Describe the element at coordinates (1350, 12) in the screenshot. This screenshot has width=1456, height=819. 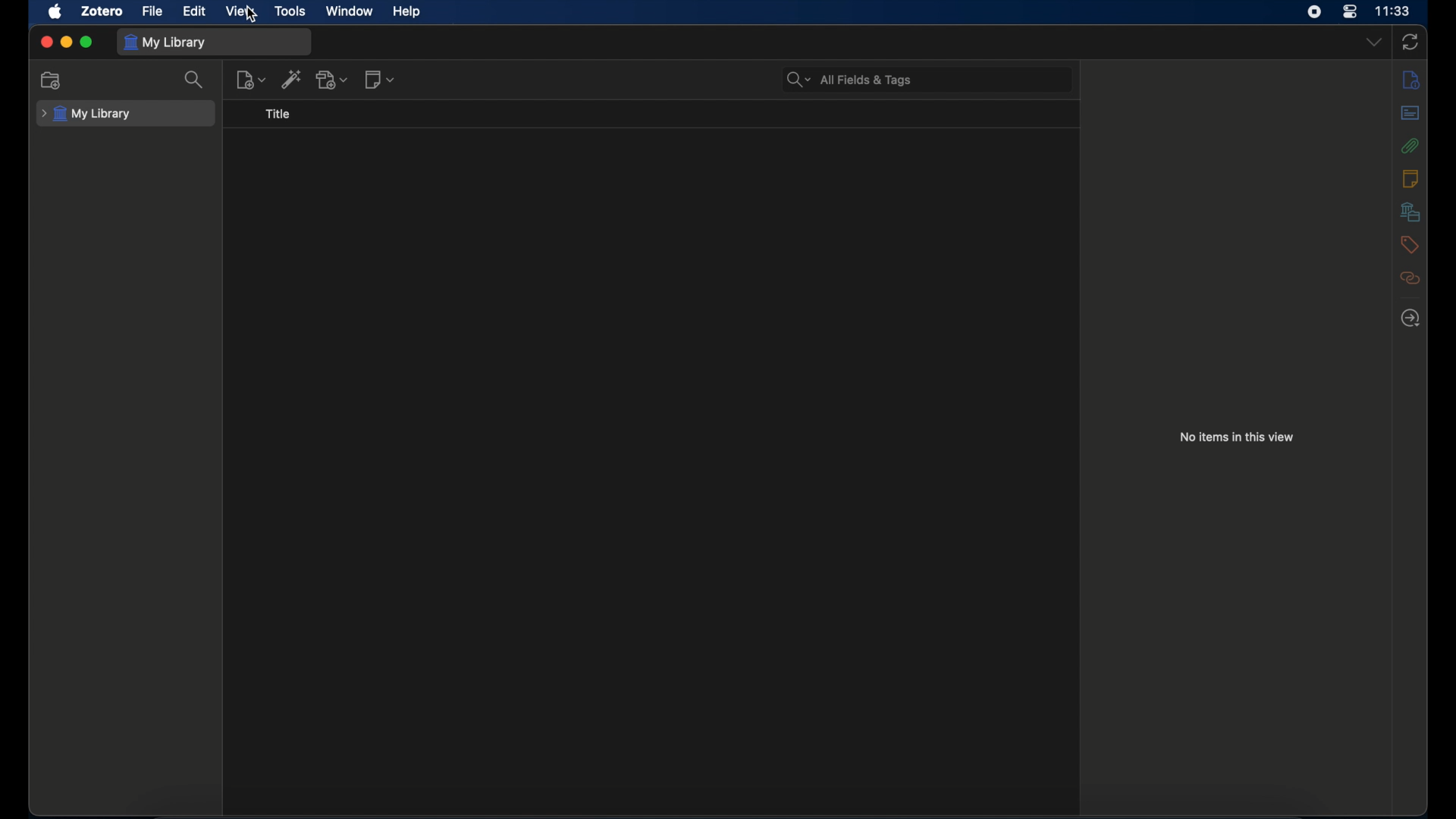
I see `control center` at that location.